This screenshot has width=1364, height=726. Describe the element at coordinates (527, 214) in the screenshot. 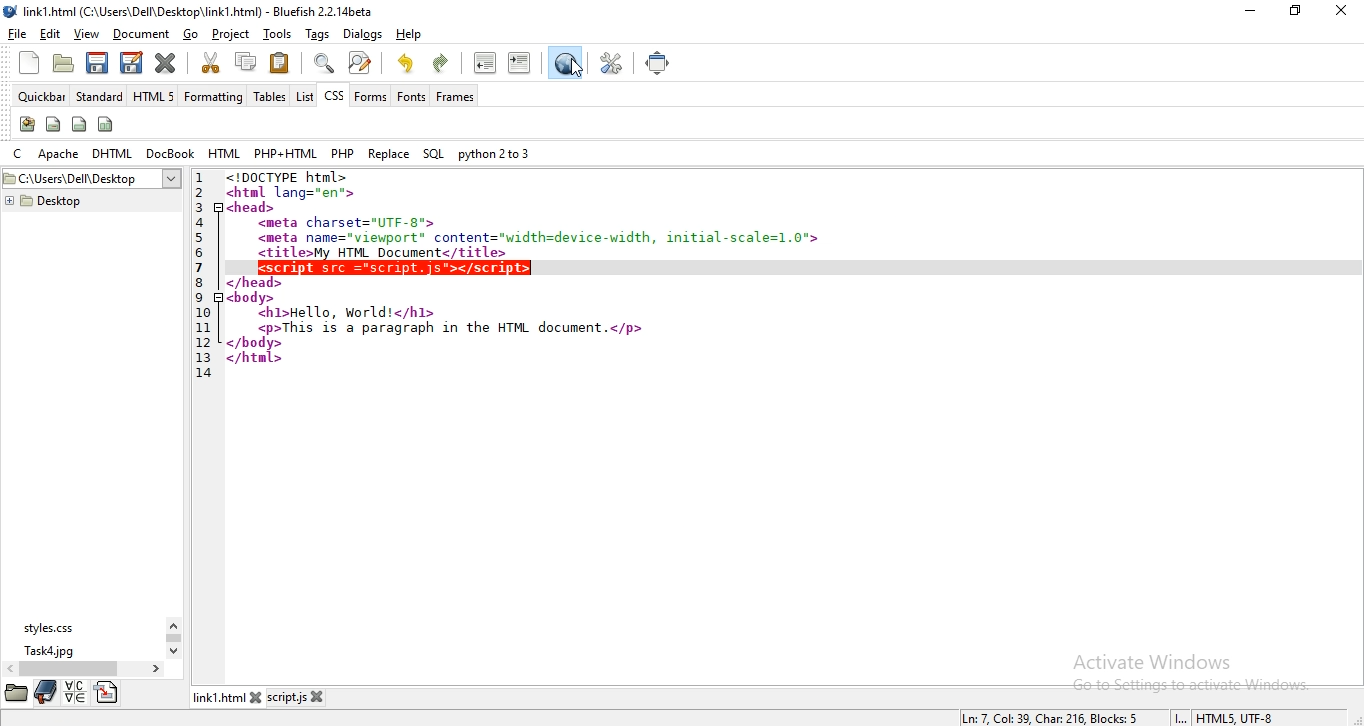

I see `code` at that location.